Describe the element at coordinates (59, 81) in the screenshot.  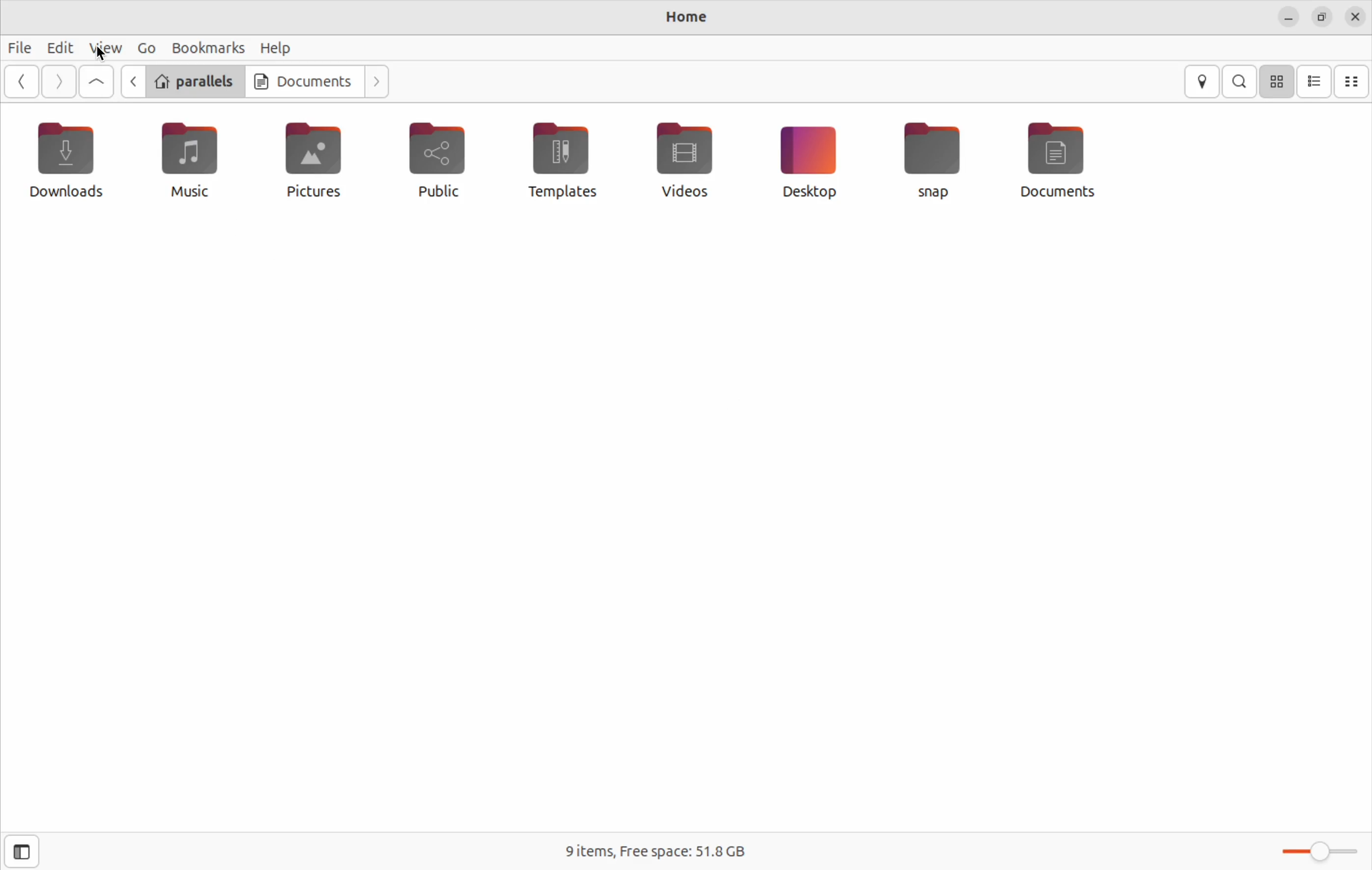
I see `Go next` at that location.